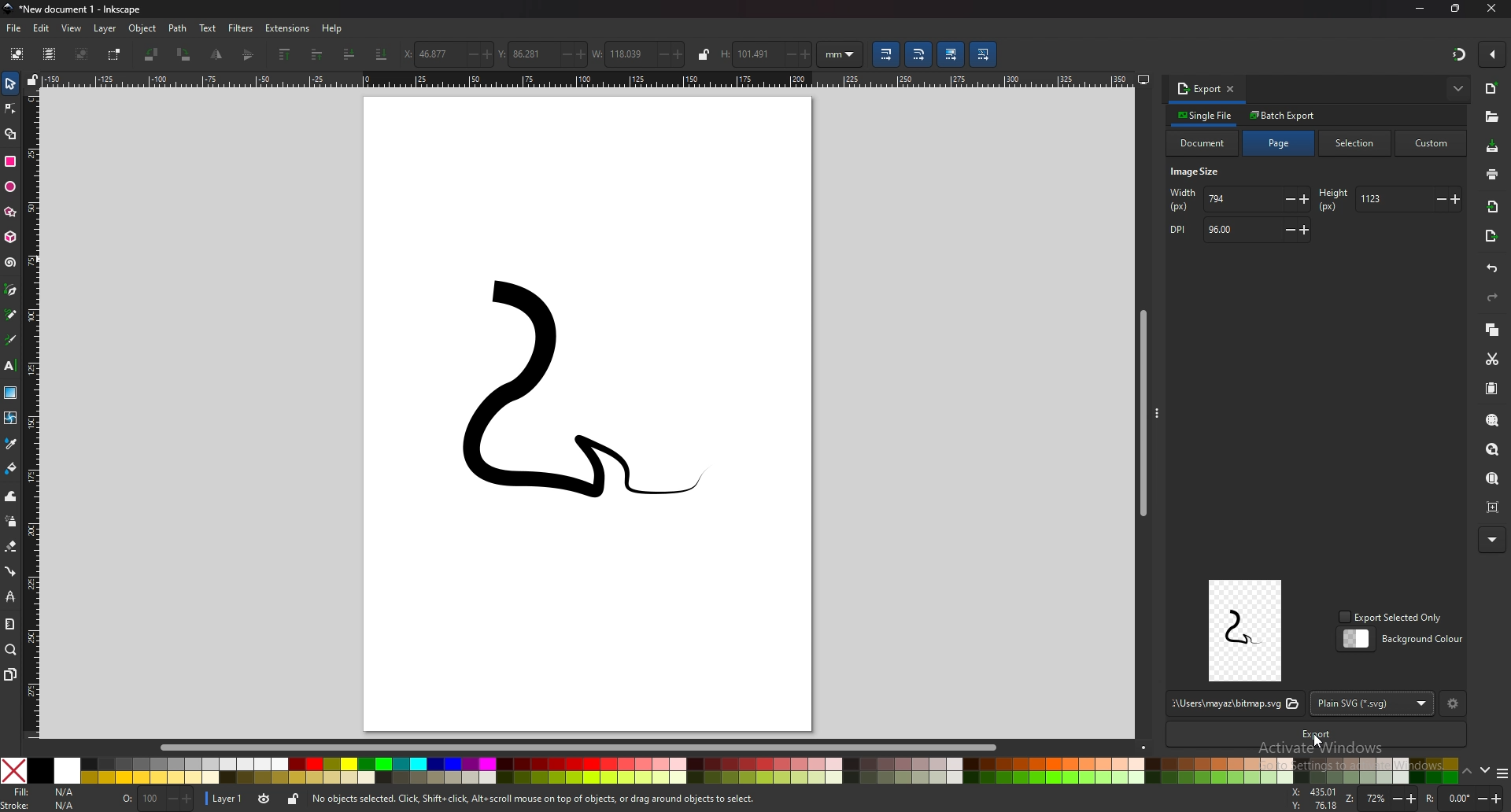  What do you see at coordinates (157, 798) in the screenshot?
I see `opacity` at bounding box center [157, 798].